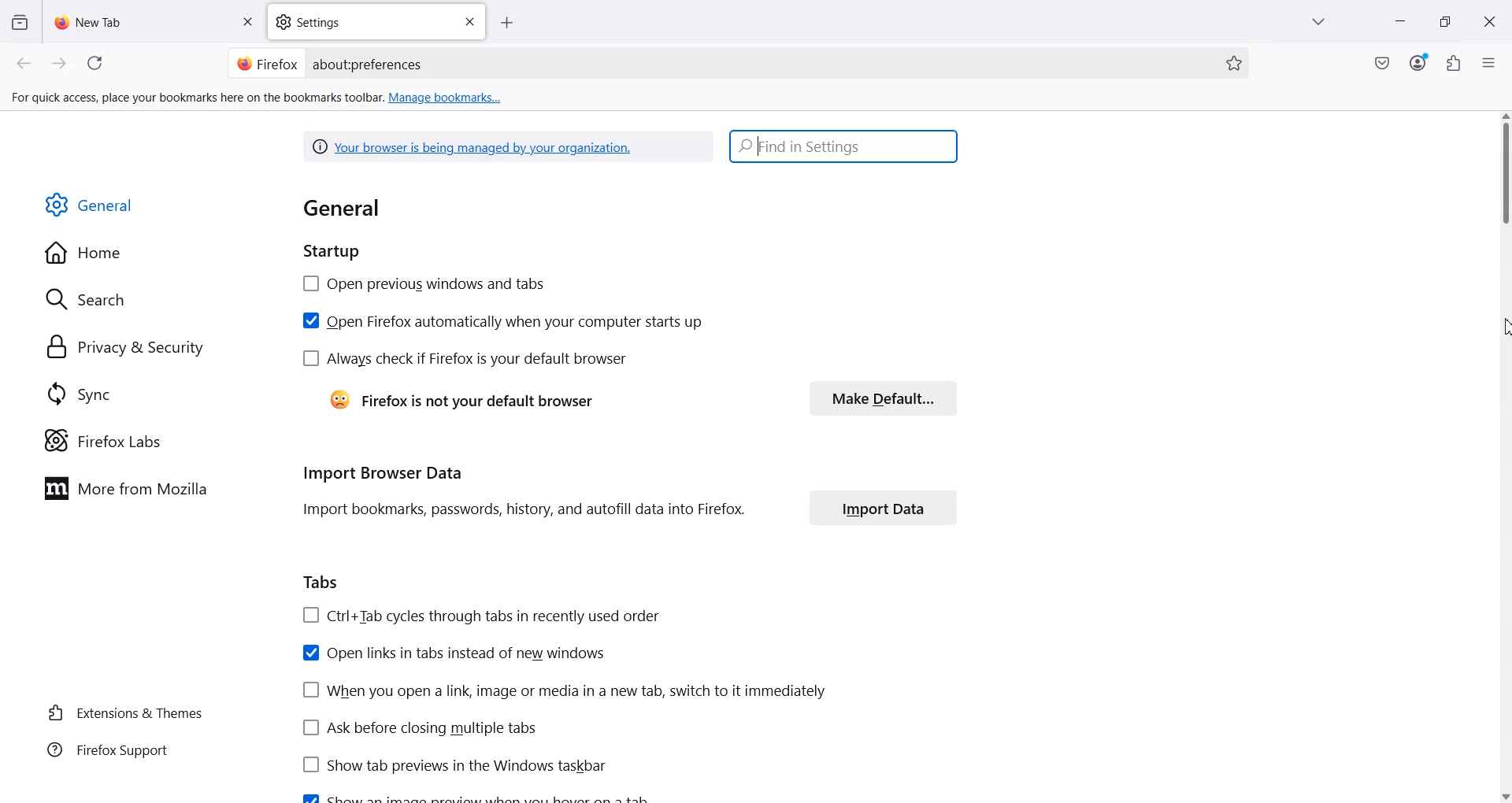  What do you see at coordinates (480, 615) in the screenshot?
I see `[J] Ctrl+Tab cycles through tabs in recently used or` at bounding box center [480, 615].